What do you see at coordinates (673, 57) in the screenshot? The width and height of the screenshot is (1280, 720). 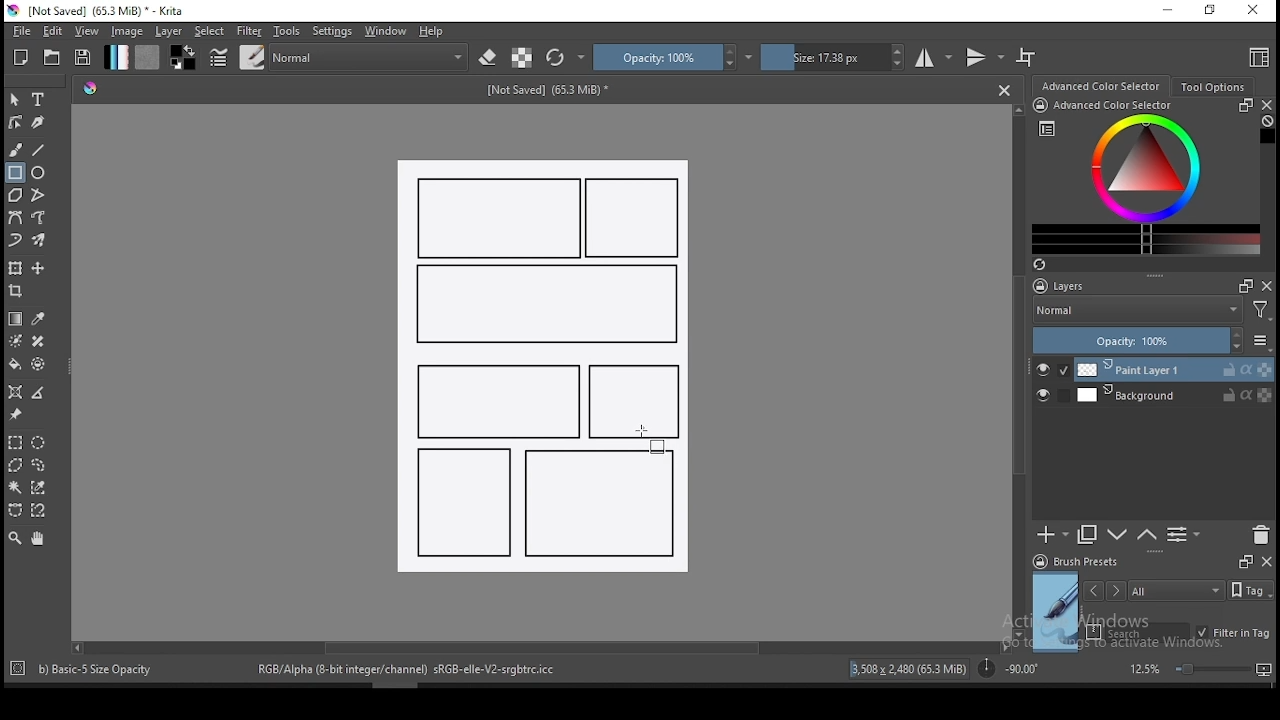 I see `opacity` at bounding box center [673, 57].